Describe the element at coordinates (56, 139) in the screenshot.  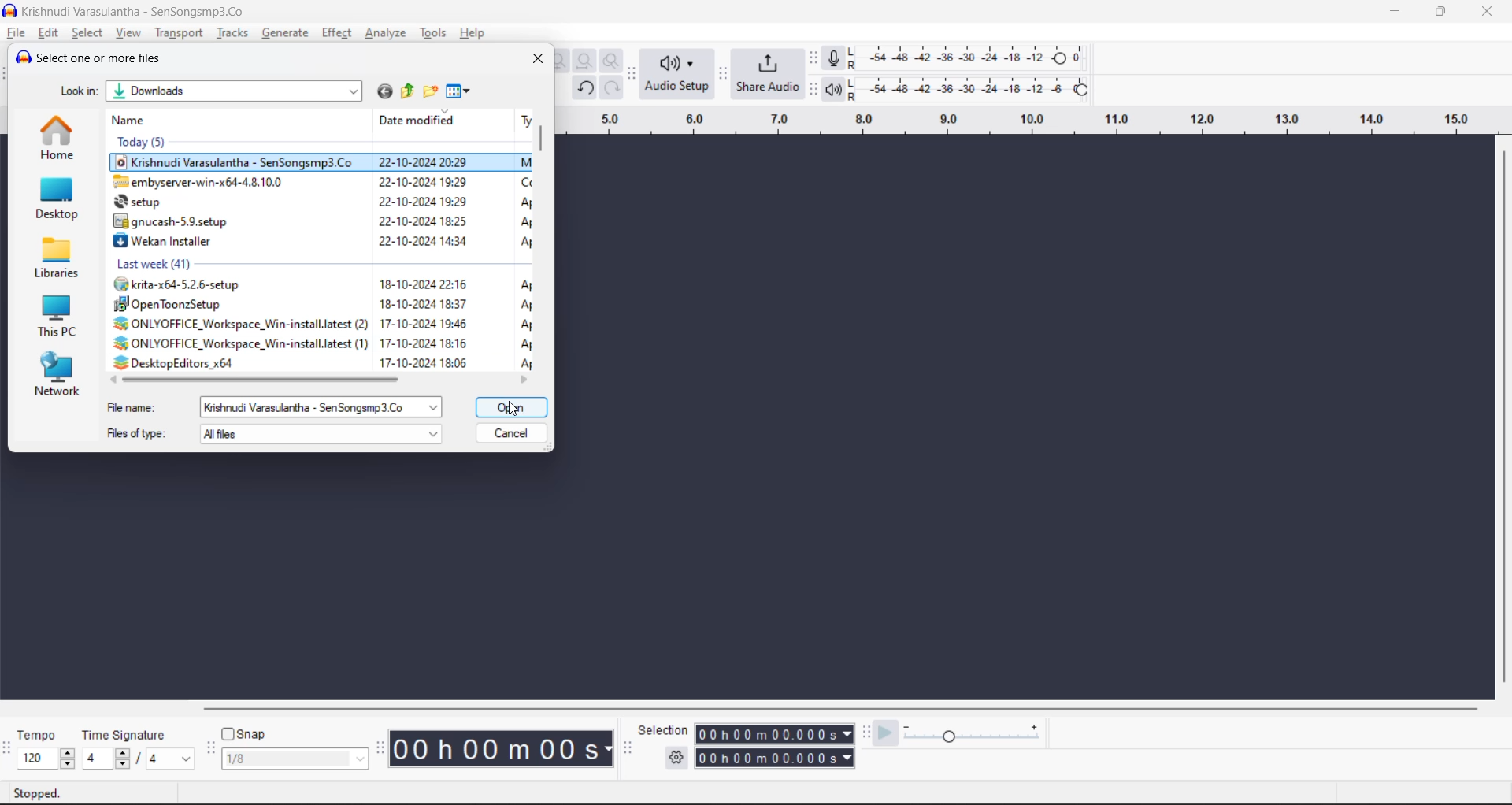
I see `home` at that location.